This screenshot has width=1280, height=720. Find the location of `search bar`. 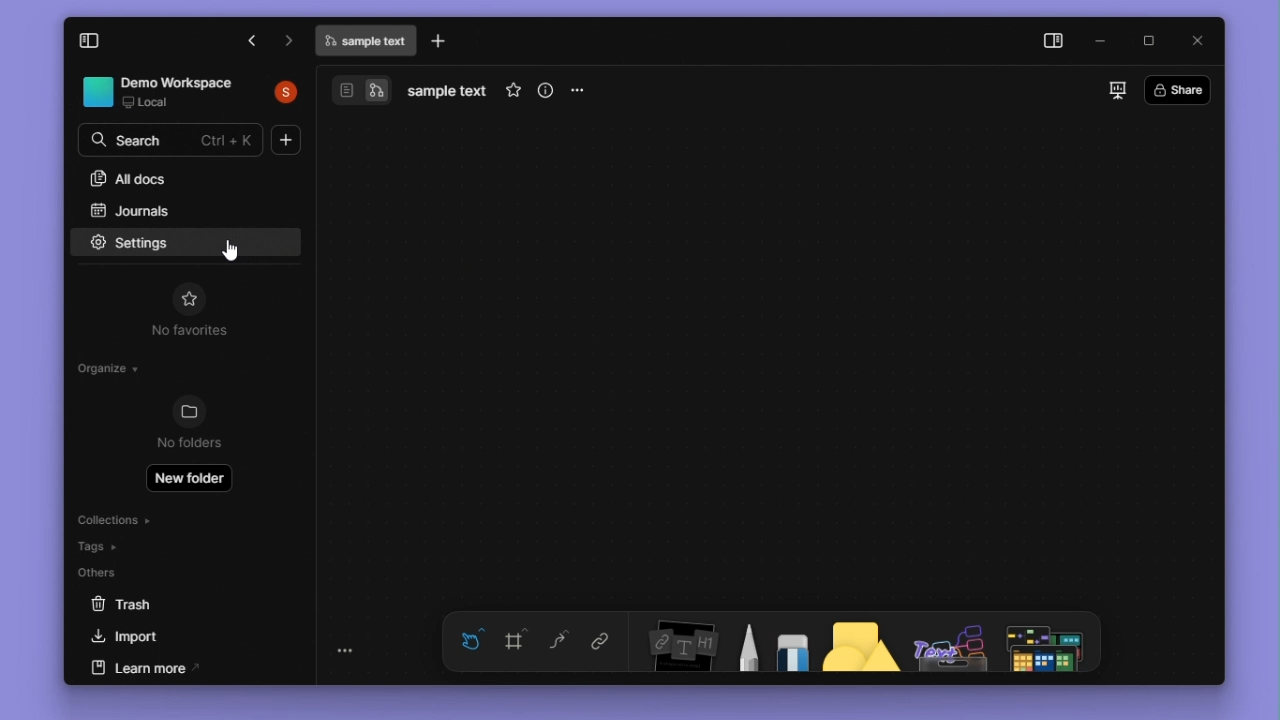

search bar is located at coordinates (170, 142).